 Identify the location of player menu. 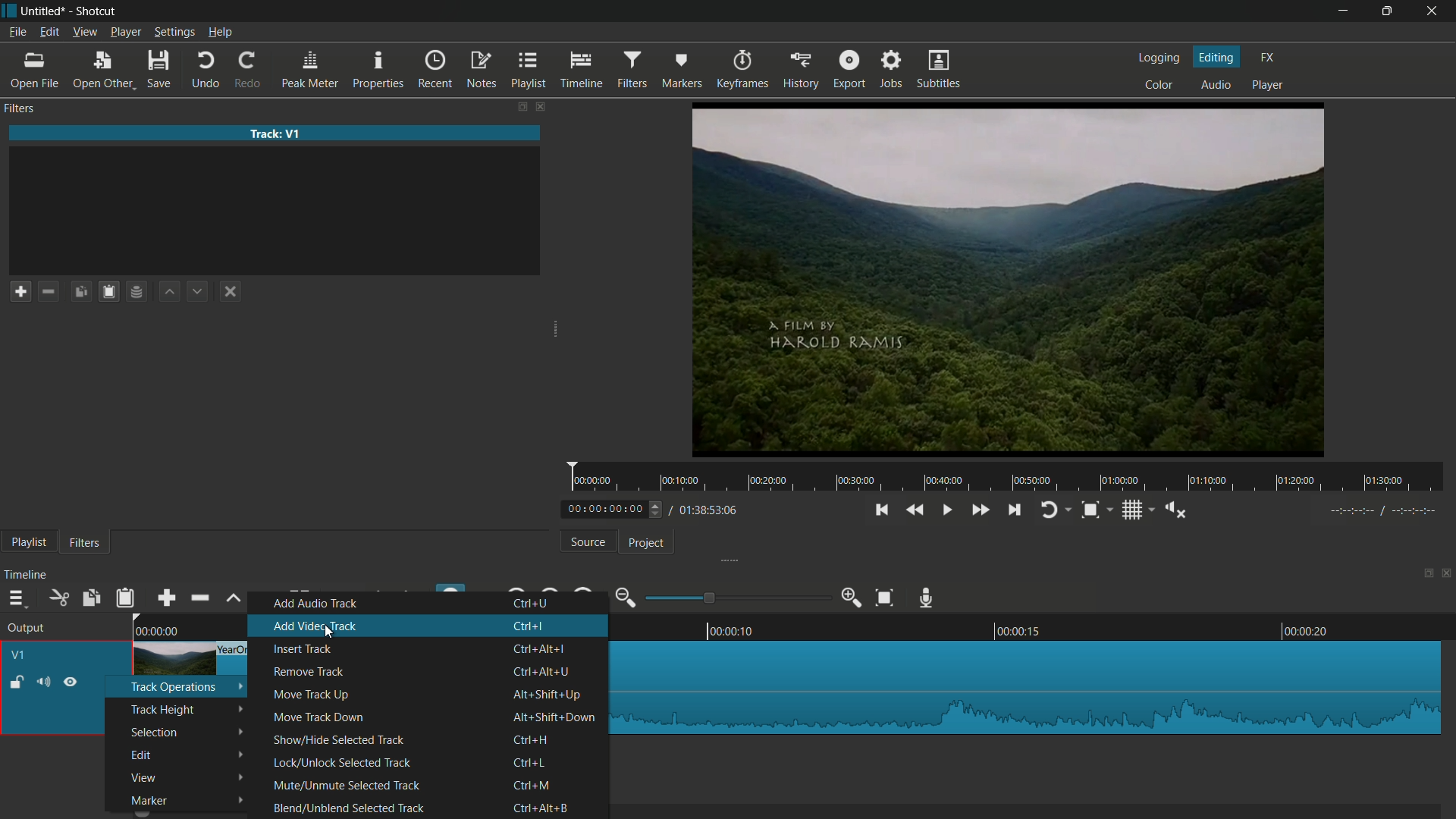
(126, 32).